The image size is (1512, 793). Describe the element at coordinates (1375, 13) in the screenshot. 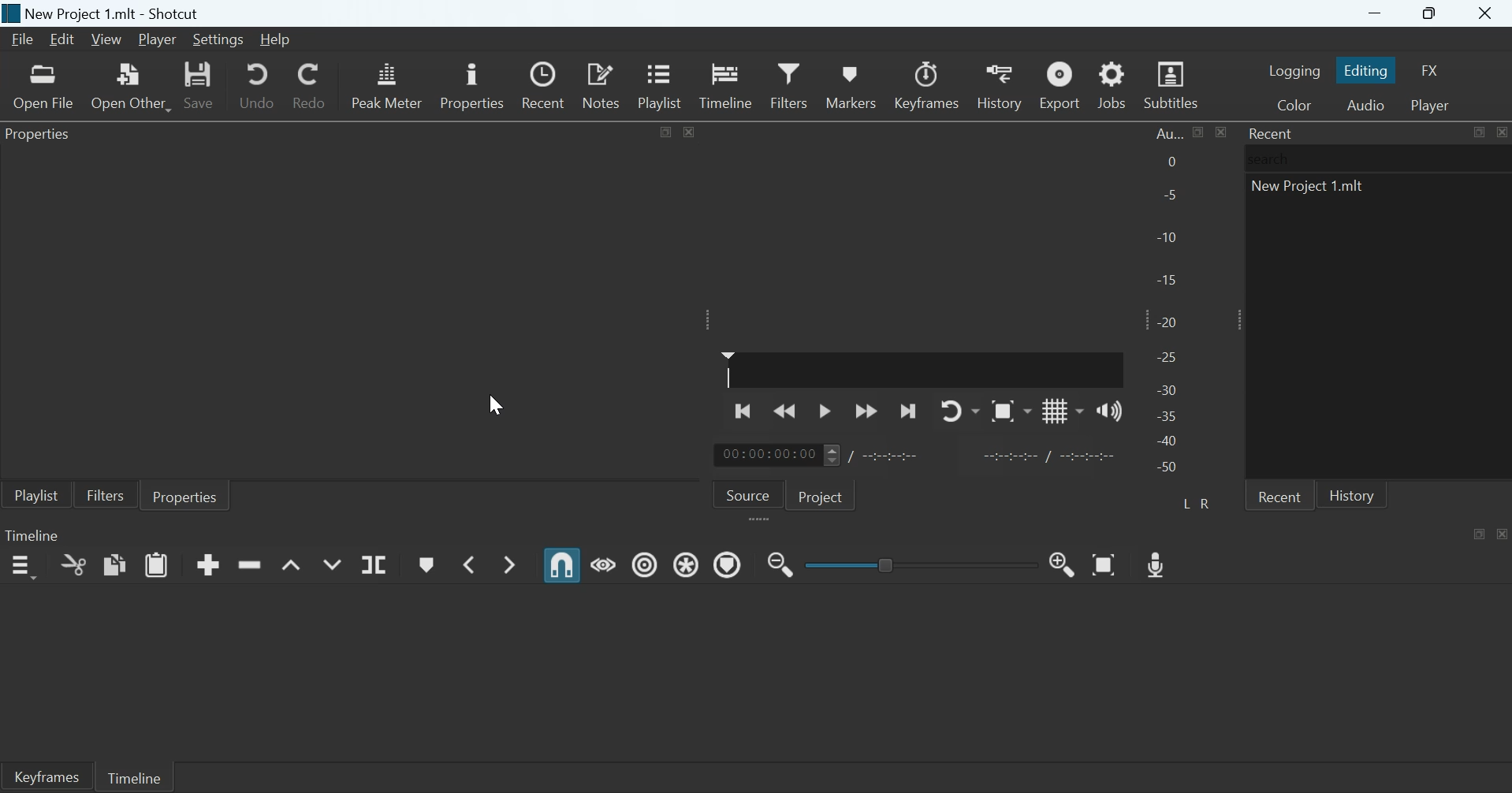

I see `Minimize` at that location.